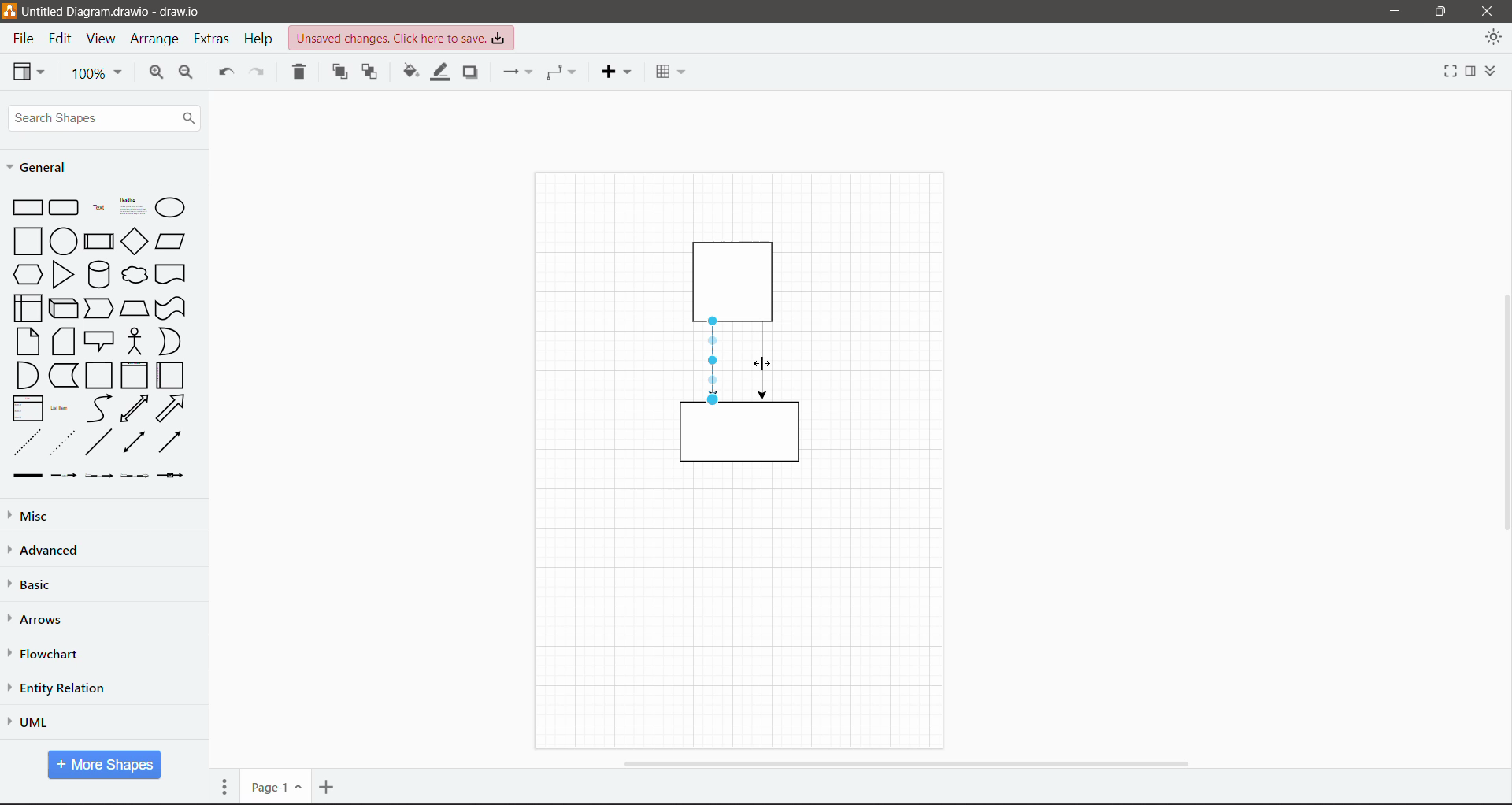 This screenshot has width=1512, height=805. What do you see at coordinates (27, 273) in the screenshot?
I see `Hexagon` at bounding box center [27, 273].